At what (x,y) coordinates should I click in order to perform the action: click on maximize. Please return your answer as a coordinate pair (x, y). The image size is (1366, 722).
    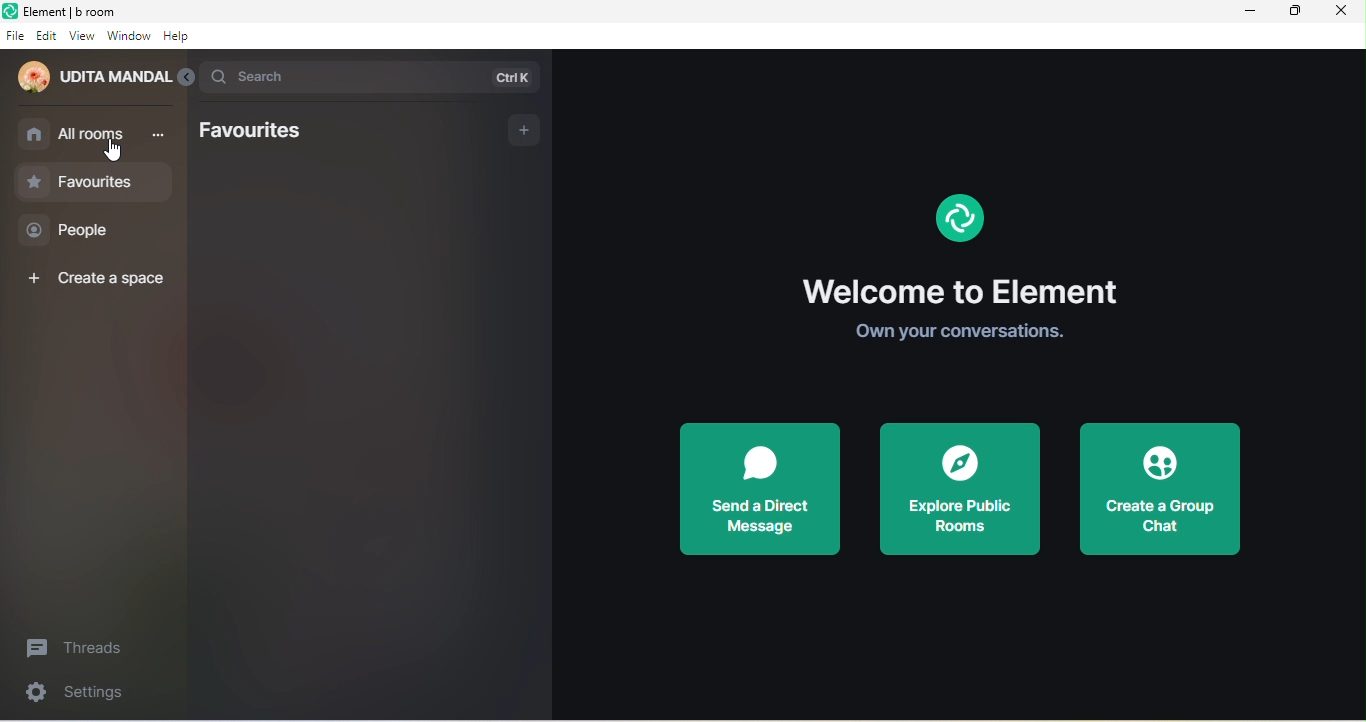
    Looking at the image, I should click on (1300, 12).